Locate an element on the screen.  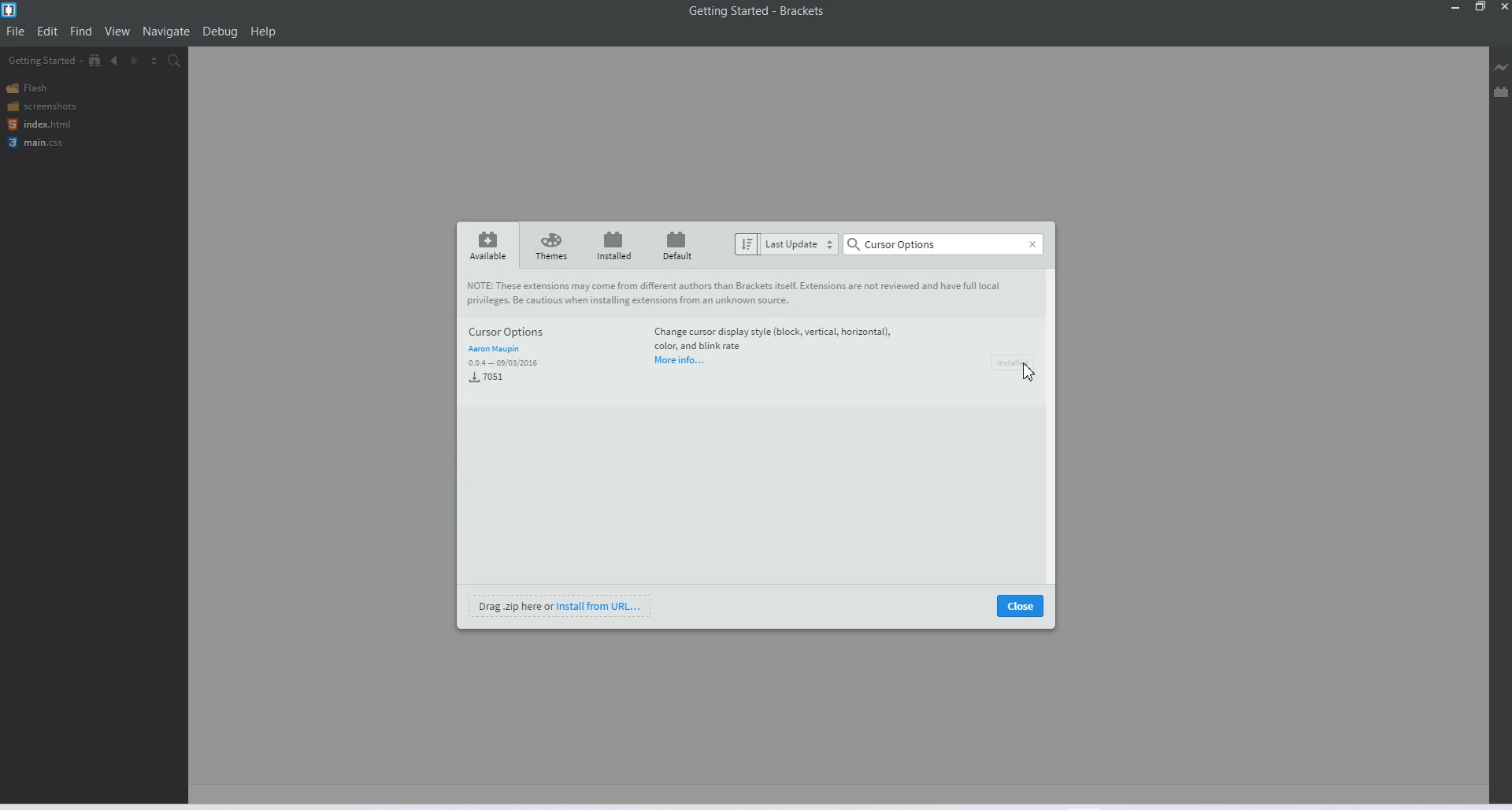
more info is located at coordinates (680, 362).